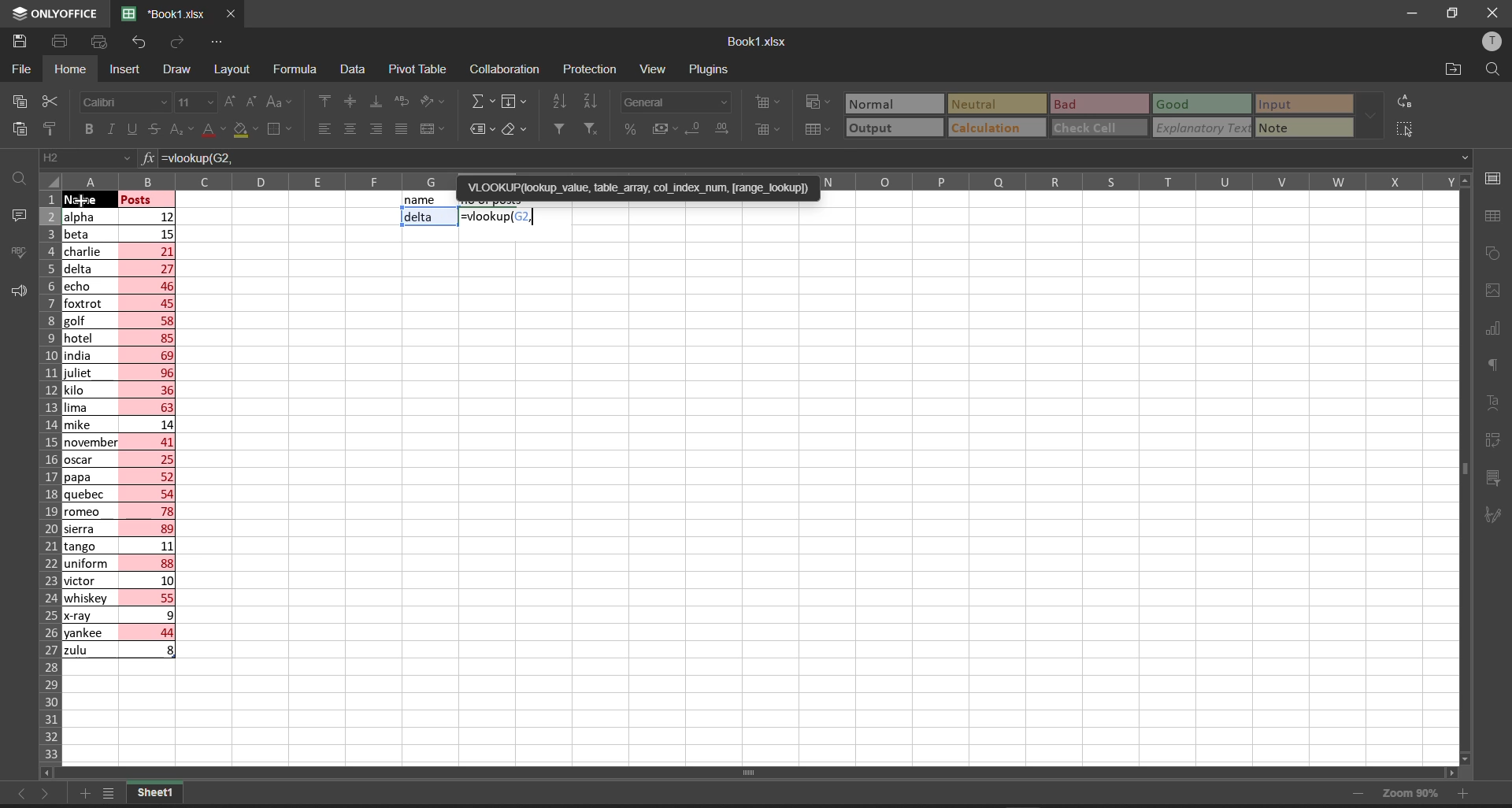 This screenshot has height=808, width=1512. I want to click on scroll right, so click(1447, 770).